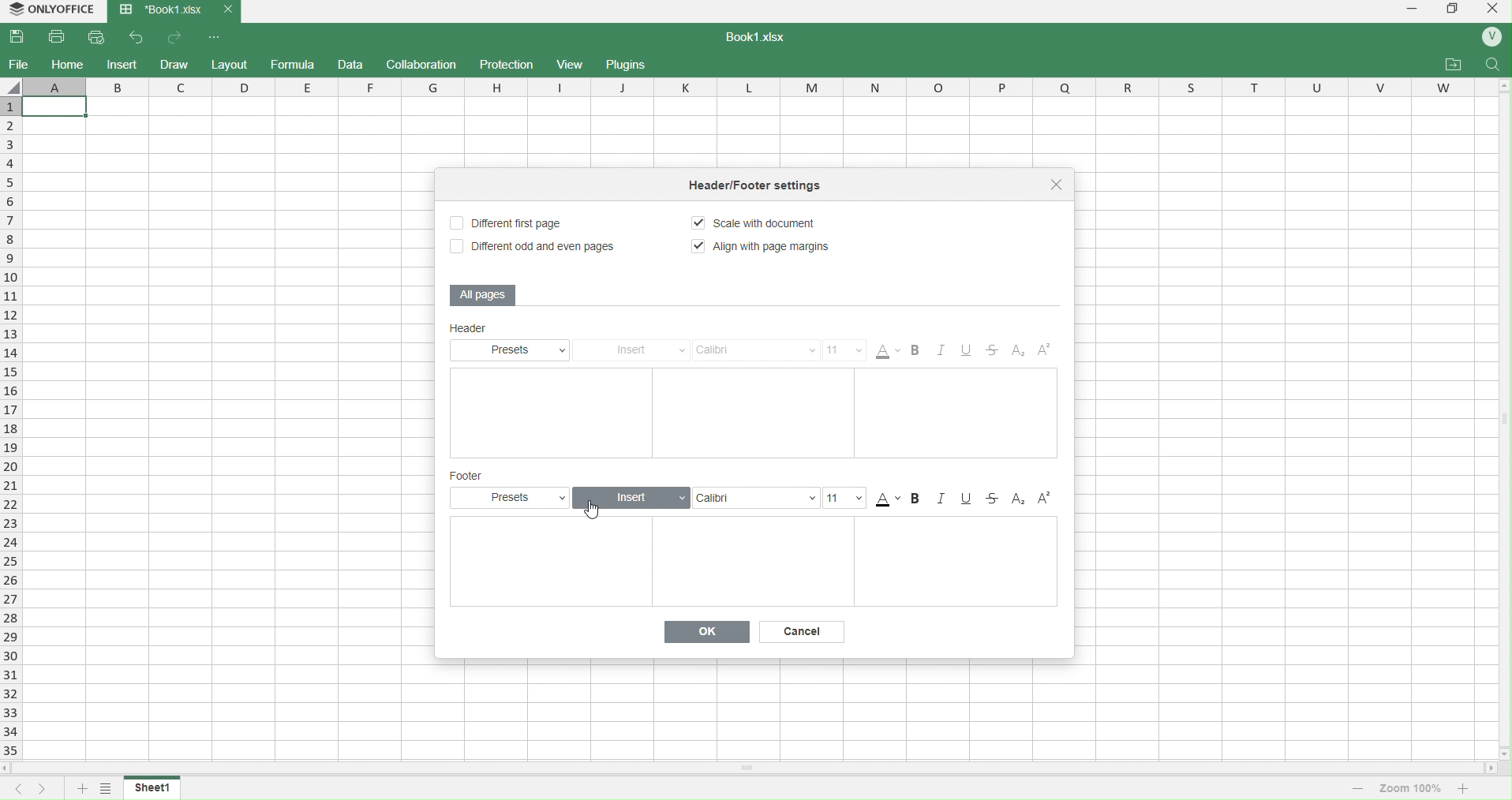 This screenshot has width=1512, height=800. Describe the element at coordinates (159, 11) in the screenshot. I see `Book1.xlsx` at that location.